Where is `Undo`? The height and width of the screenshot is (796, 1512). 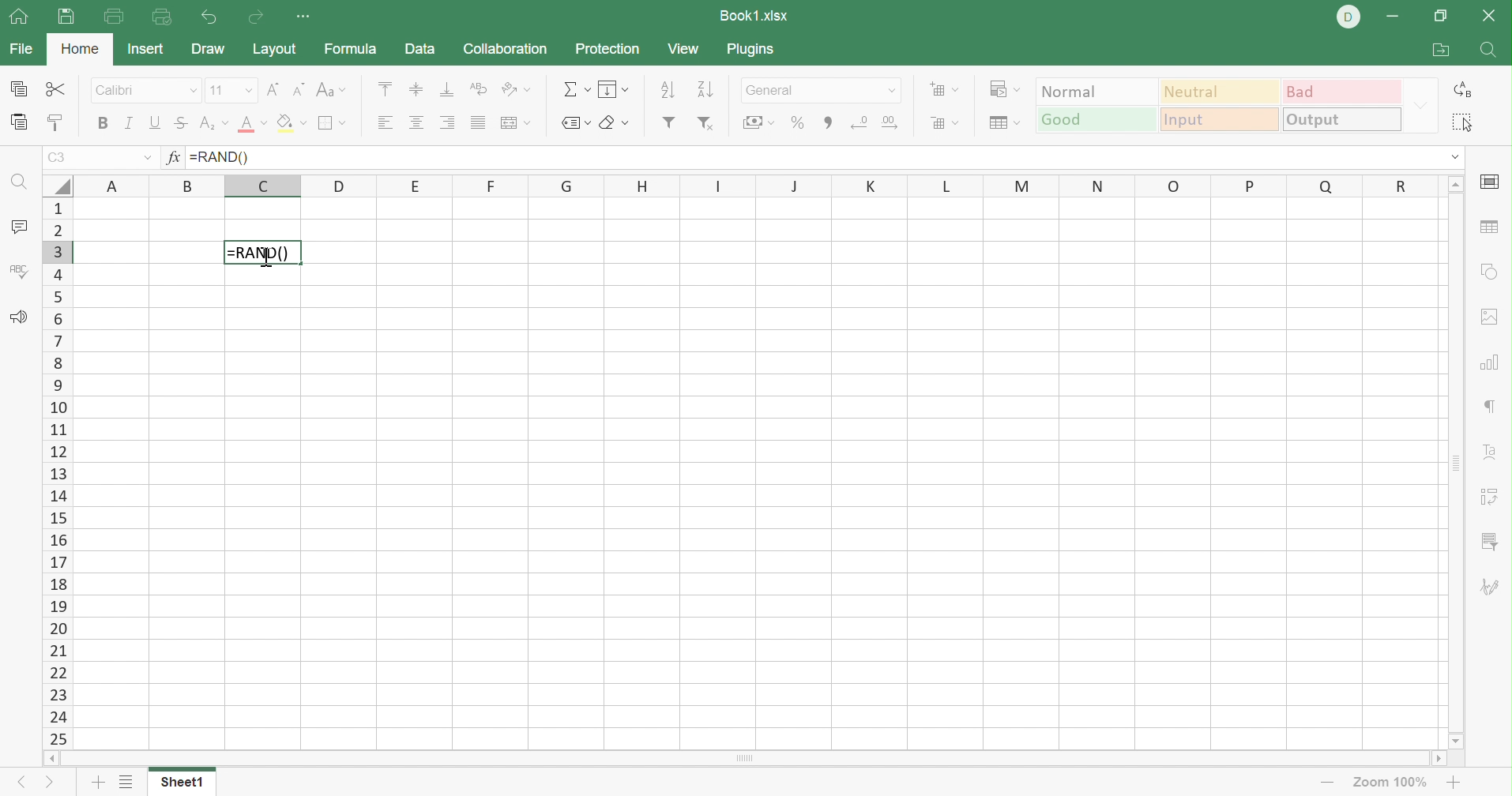
Undo is located at coordinates (213, 19).